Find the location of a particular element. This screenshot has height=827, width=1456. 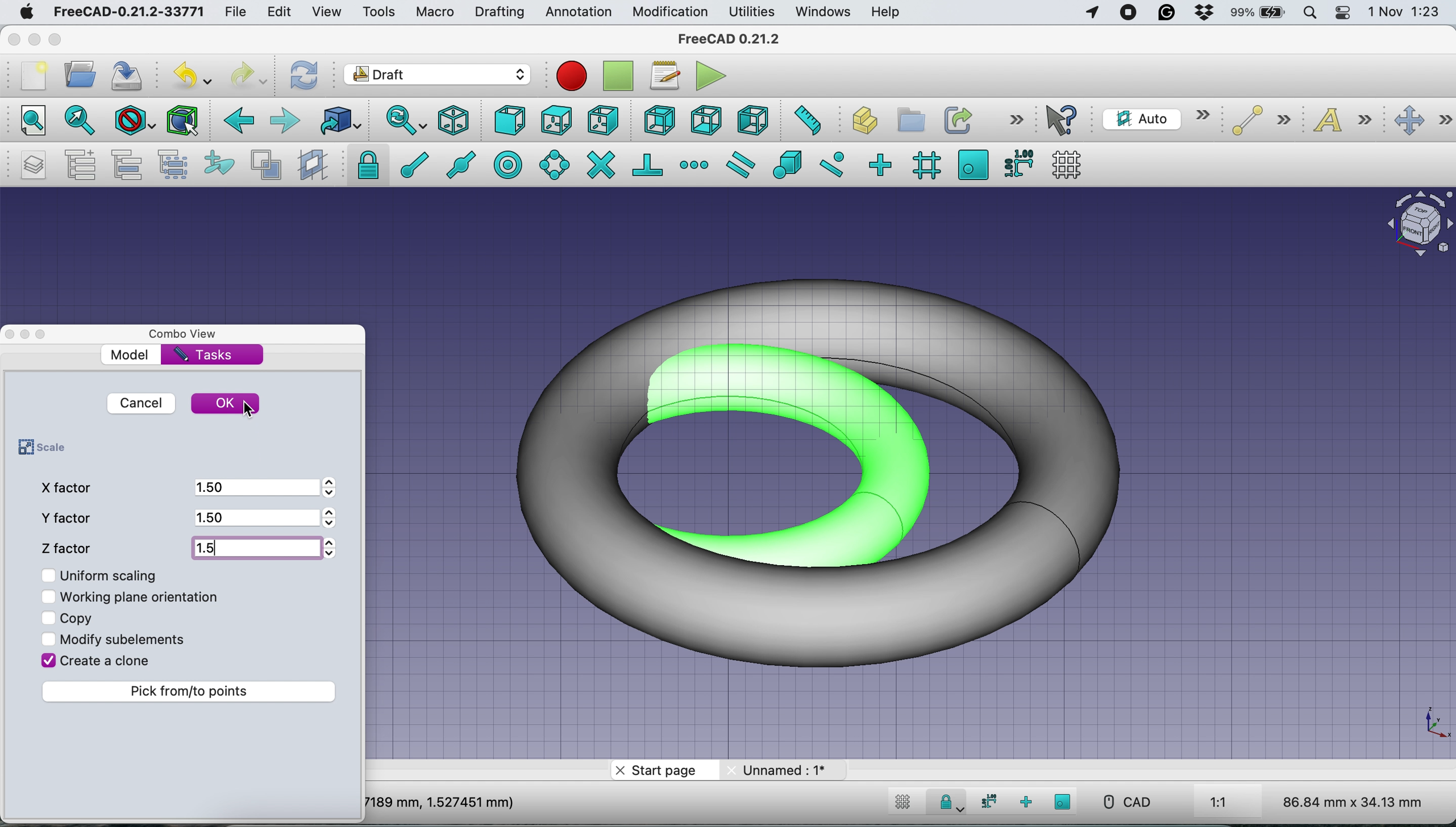

snap dimensions is located at coordinates (987, 801).